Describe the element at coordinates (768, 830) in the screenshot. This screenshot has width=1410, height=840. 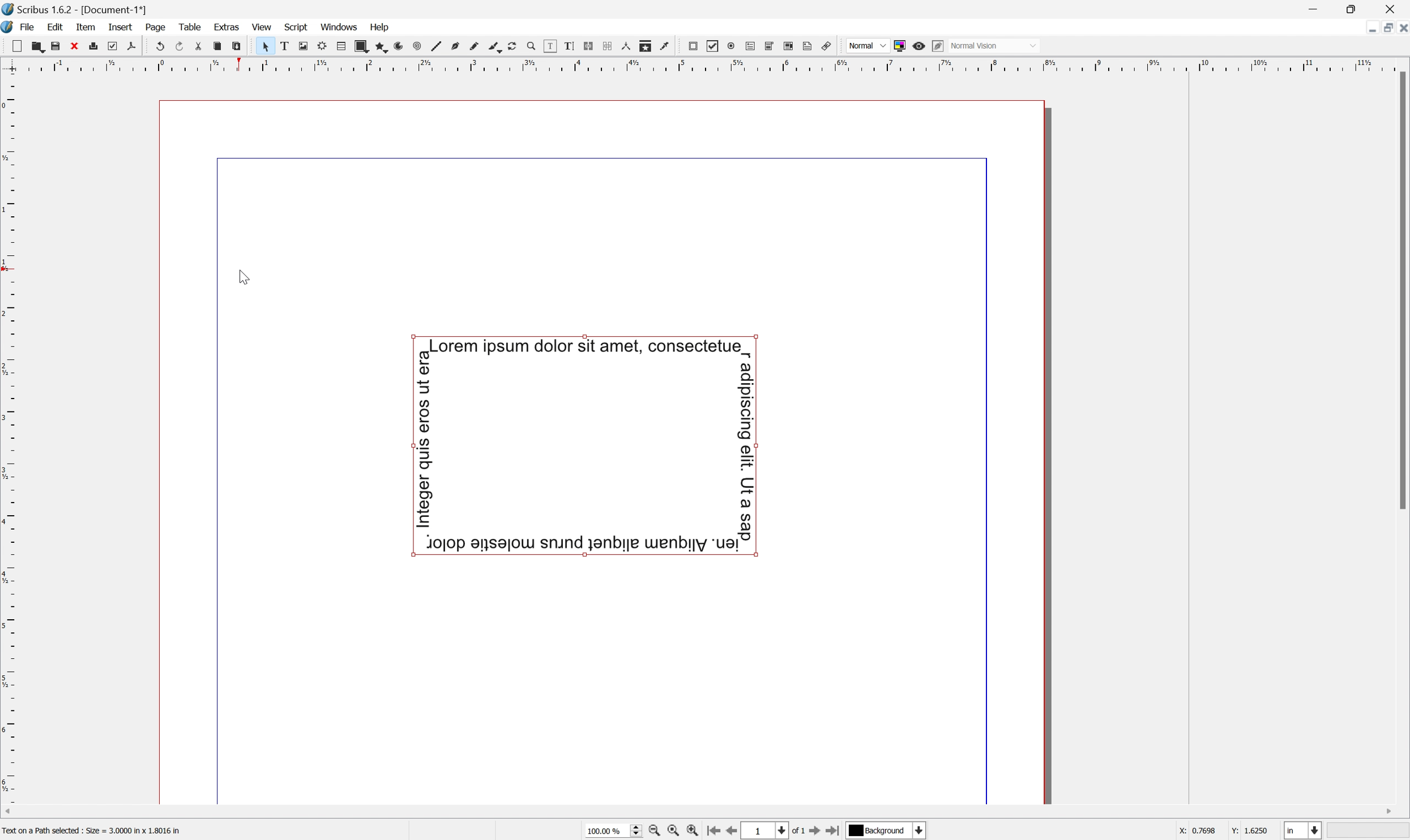
I see `Select the current page` at that location.